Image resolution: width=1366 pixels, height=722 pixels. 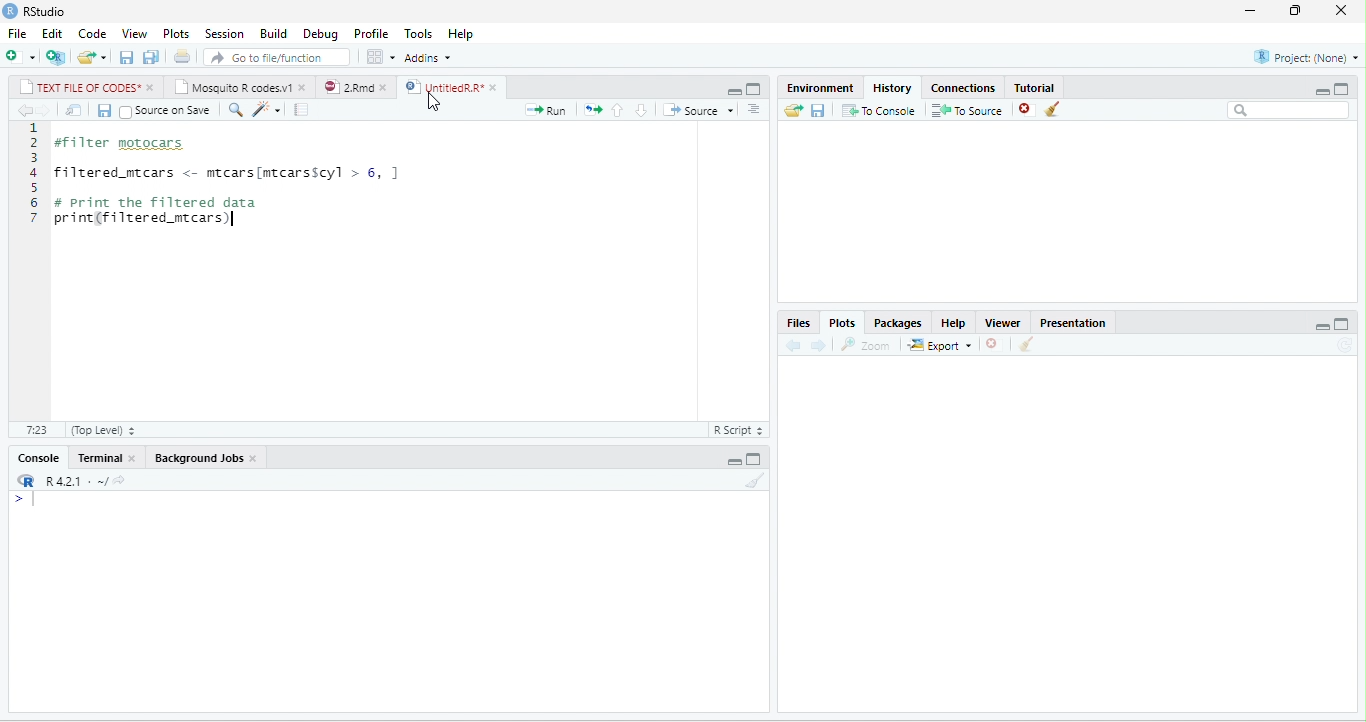 What do you see at coordinates (1321, 91) in the screenshot?
I see `minimize` at bounding box center [1321, 91].